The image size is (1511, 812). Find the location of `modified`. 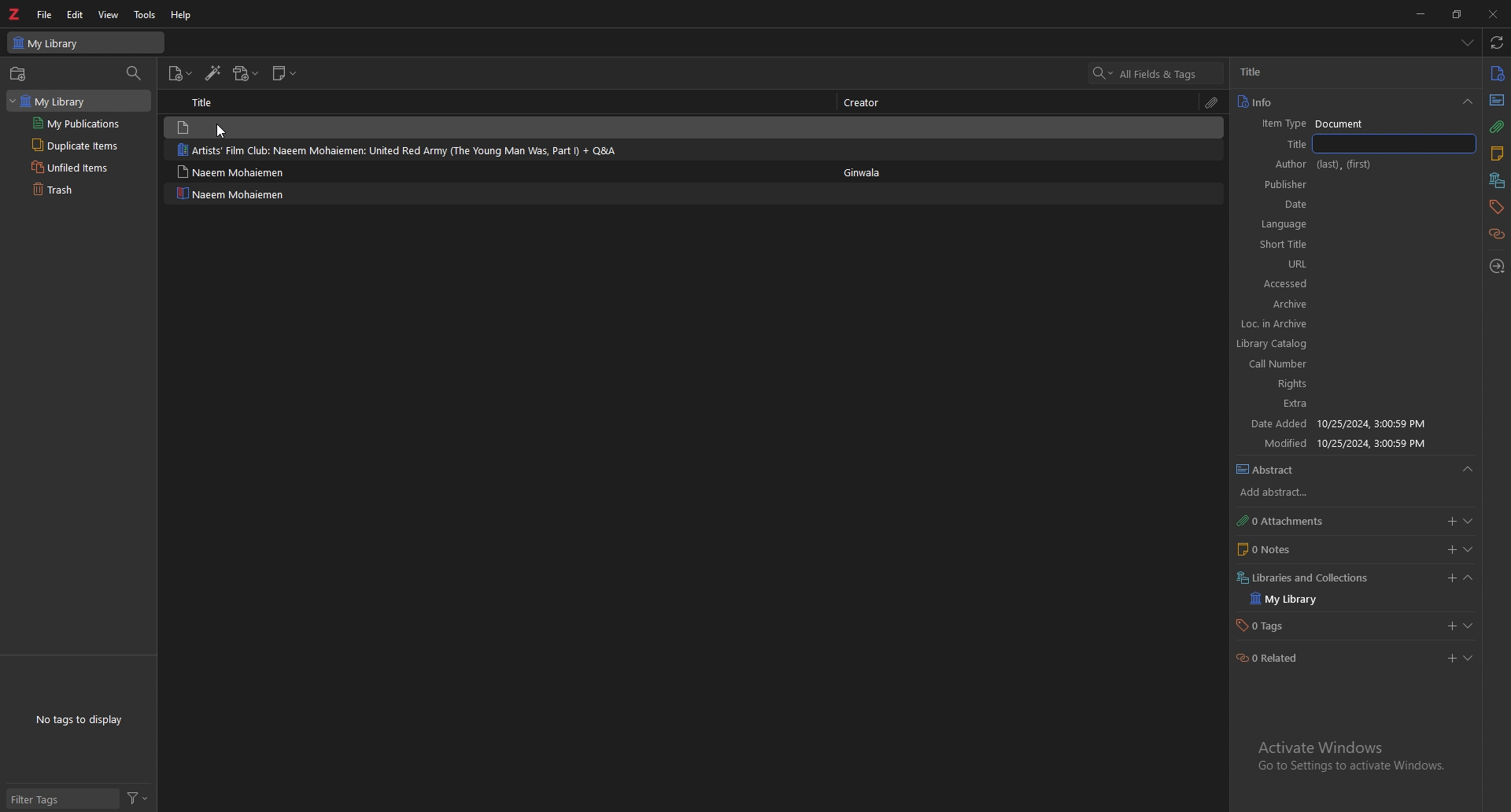

modified is located at coordinates (1278, 623).